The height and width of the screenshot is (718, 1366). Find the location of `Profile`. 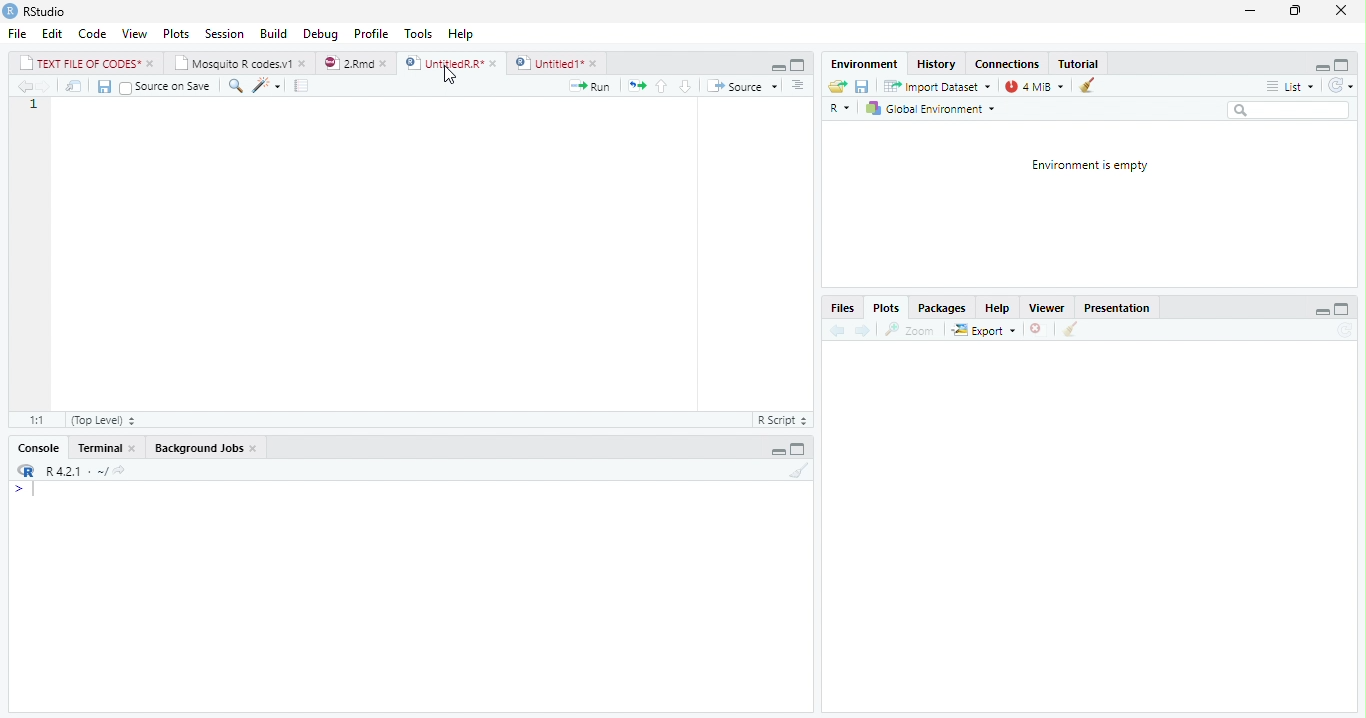

Profile is located at coordinates (370, 33).